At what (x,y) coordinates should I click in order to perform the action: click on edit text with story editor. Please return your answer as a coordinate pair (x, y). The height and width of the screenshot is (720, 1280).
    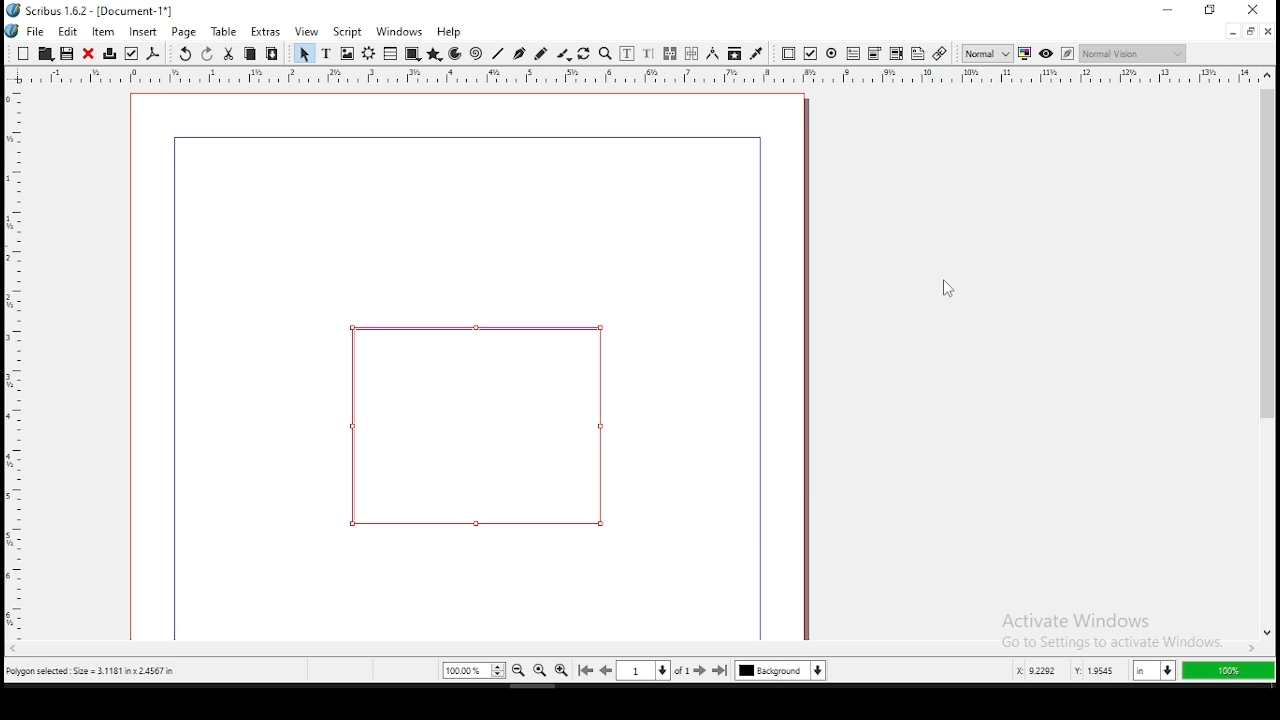
    Looking at the image, I should click on (648, 54).